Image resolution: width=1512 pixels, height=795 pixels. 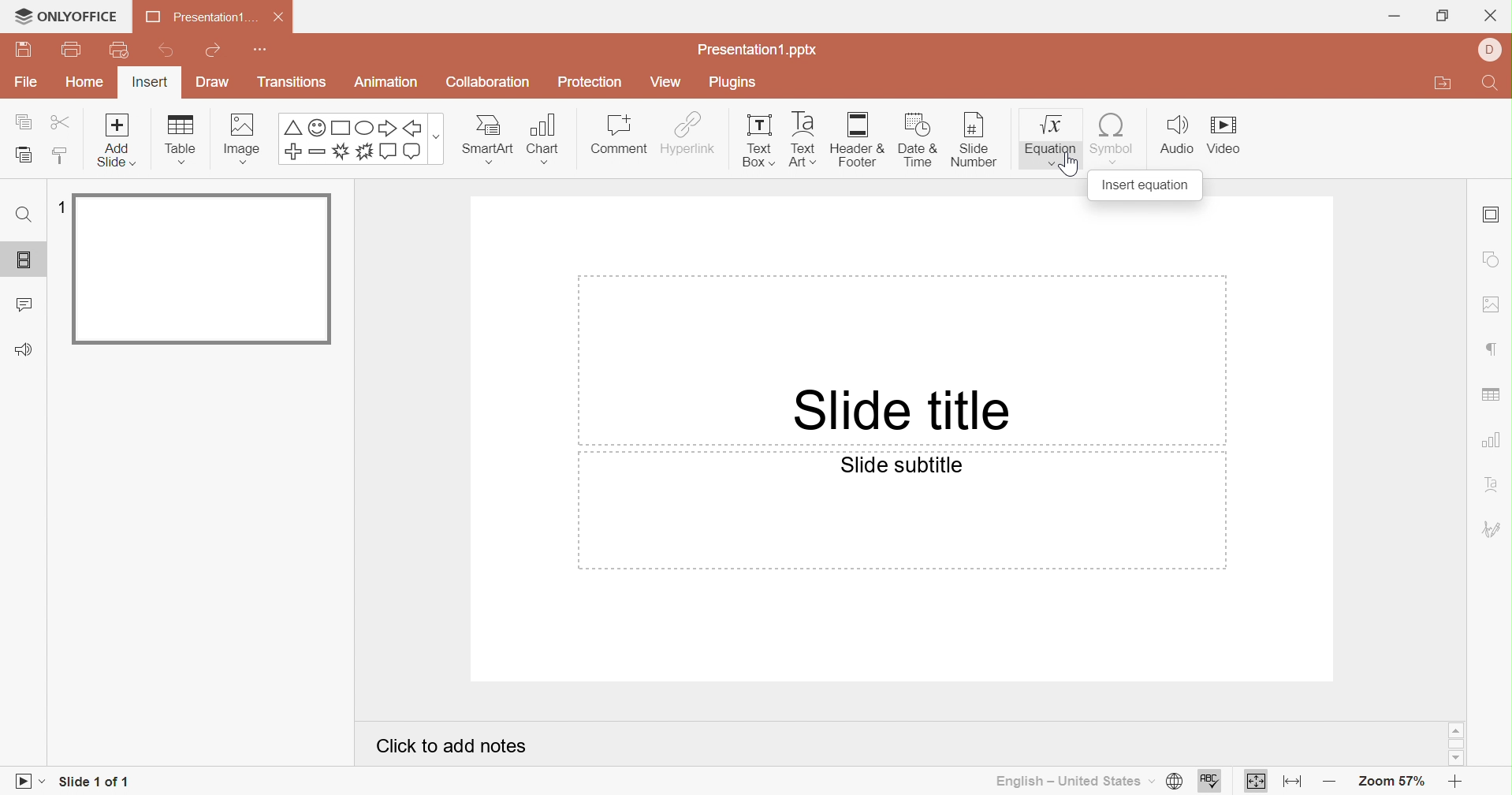 I want to click on Scroll Down, so click(x=1456, y=759).